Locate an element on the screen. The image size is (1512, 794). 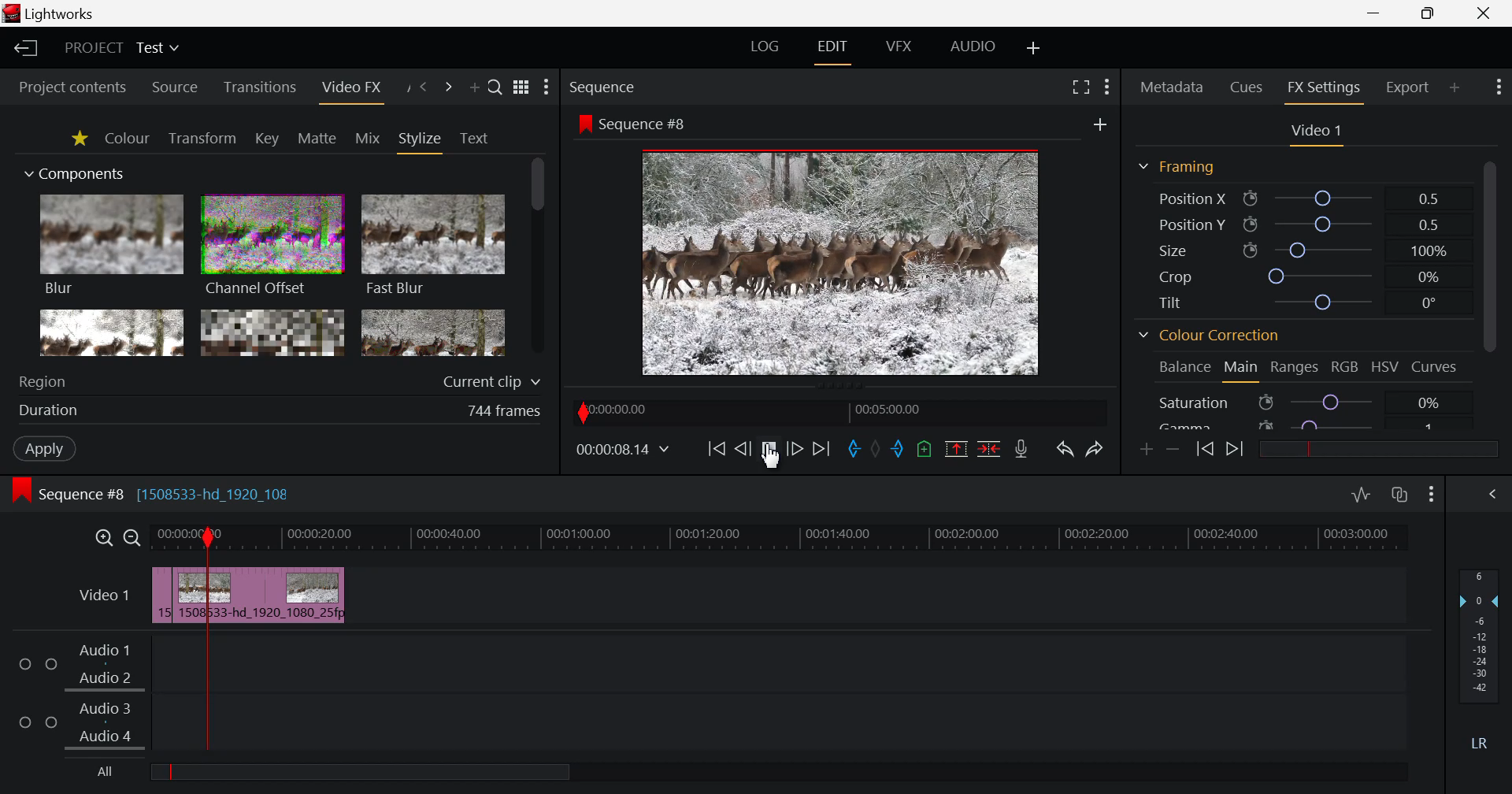
Add keyframe is located at coordinates (1147, 451).